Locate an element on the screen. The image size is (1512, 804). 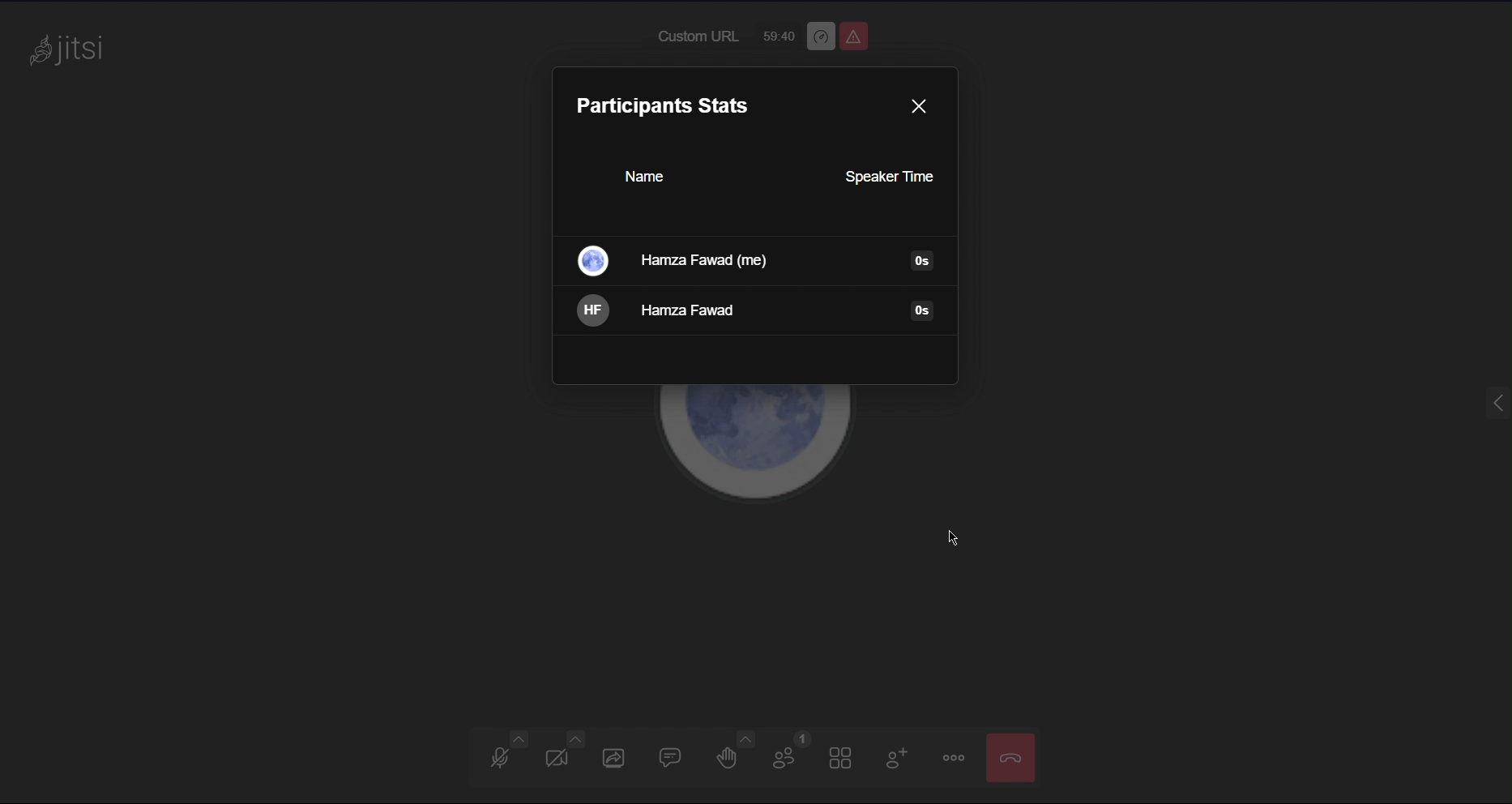
Performance is located at coordinates (822, 34).